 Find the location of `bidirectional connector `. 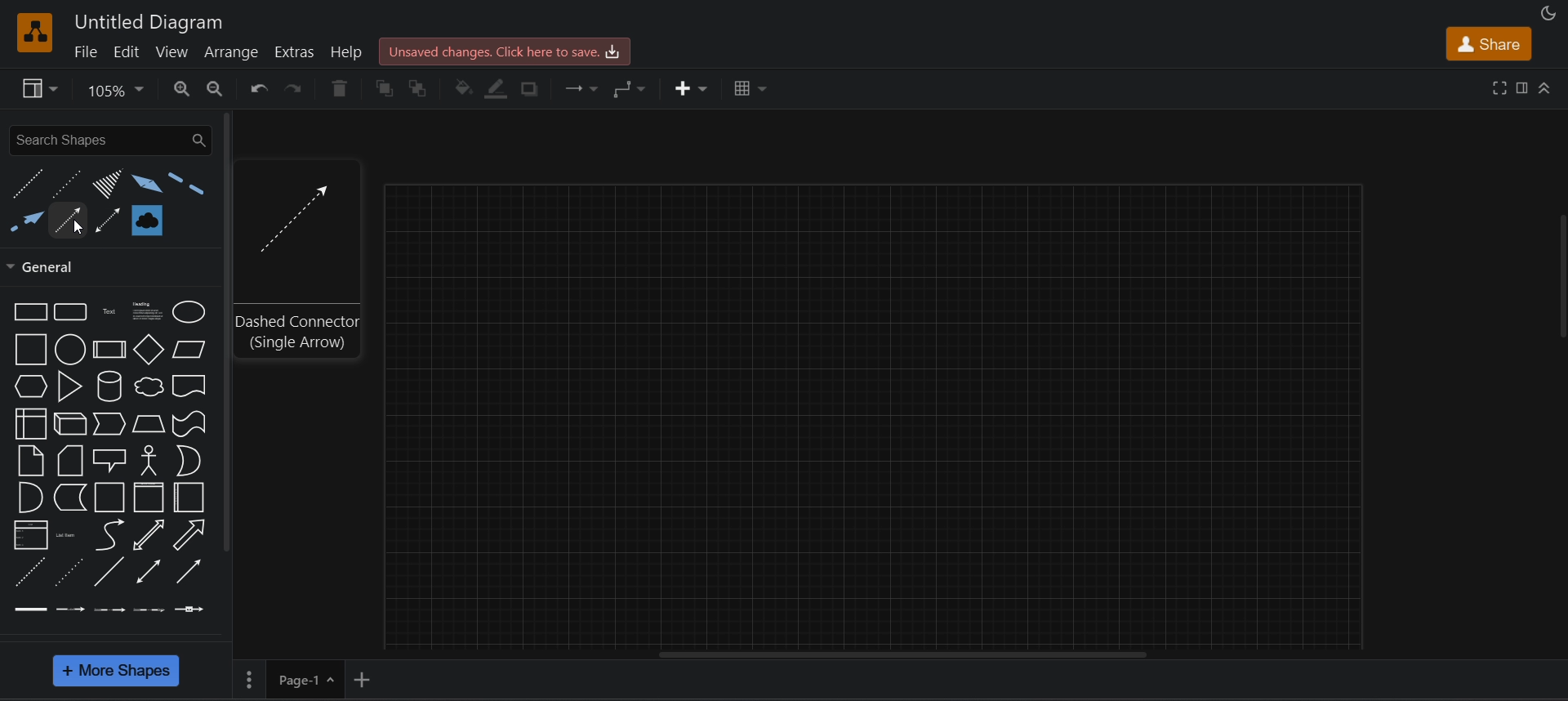

bidirectional connector  is located at coordinates (147, 573).